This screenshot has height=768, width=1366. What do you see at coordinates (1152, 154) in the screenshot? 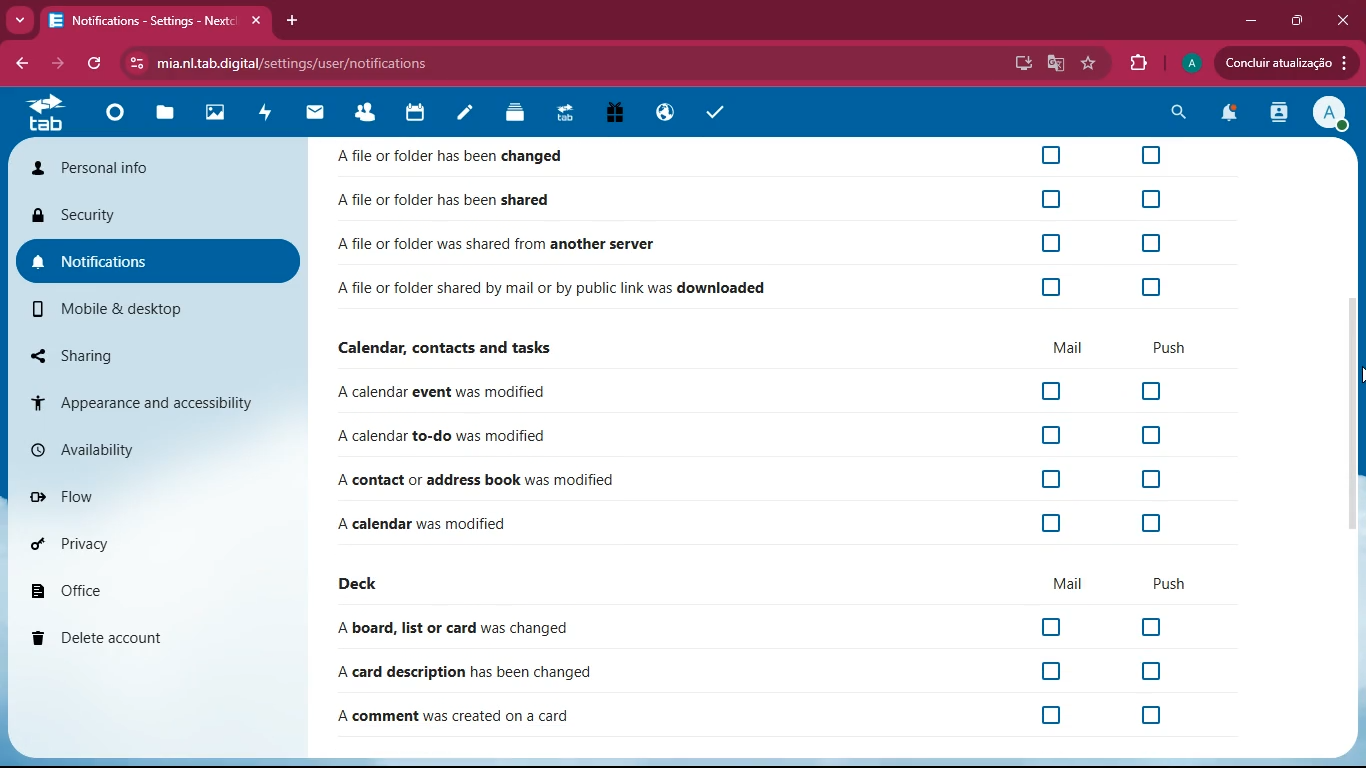
I see `off` at bounding box center [1152, 154].